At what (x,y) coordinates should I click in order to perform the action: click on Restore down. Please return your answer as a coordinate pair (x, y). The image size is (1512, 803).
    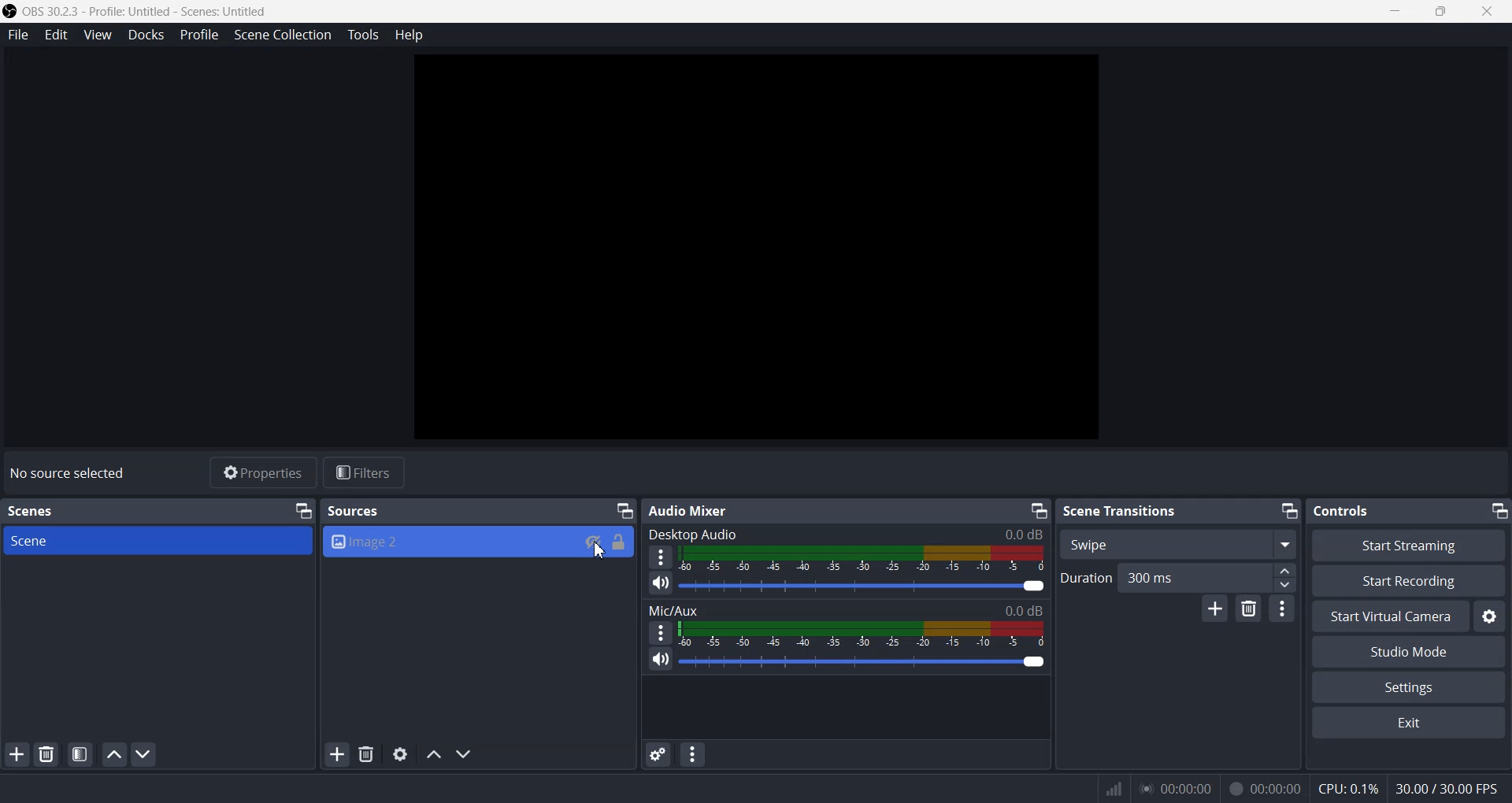
    Looking at the image, I should click on (1443, 13).